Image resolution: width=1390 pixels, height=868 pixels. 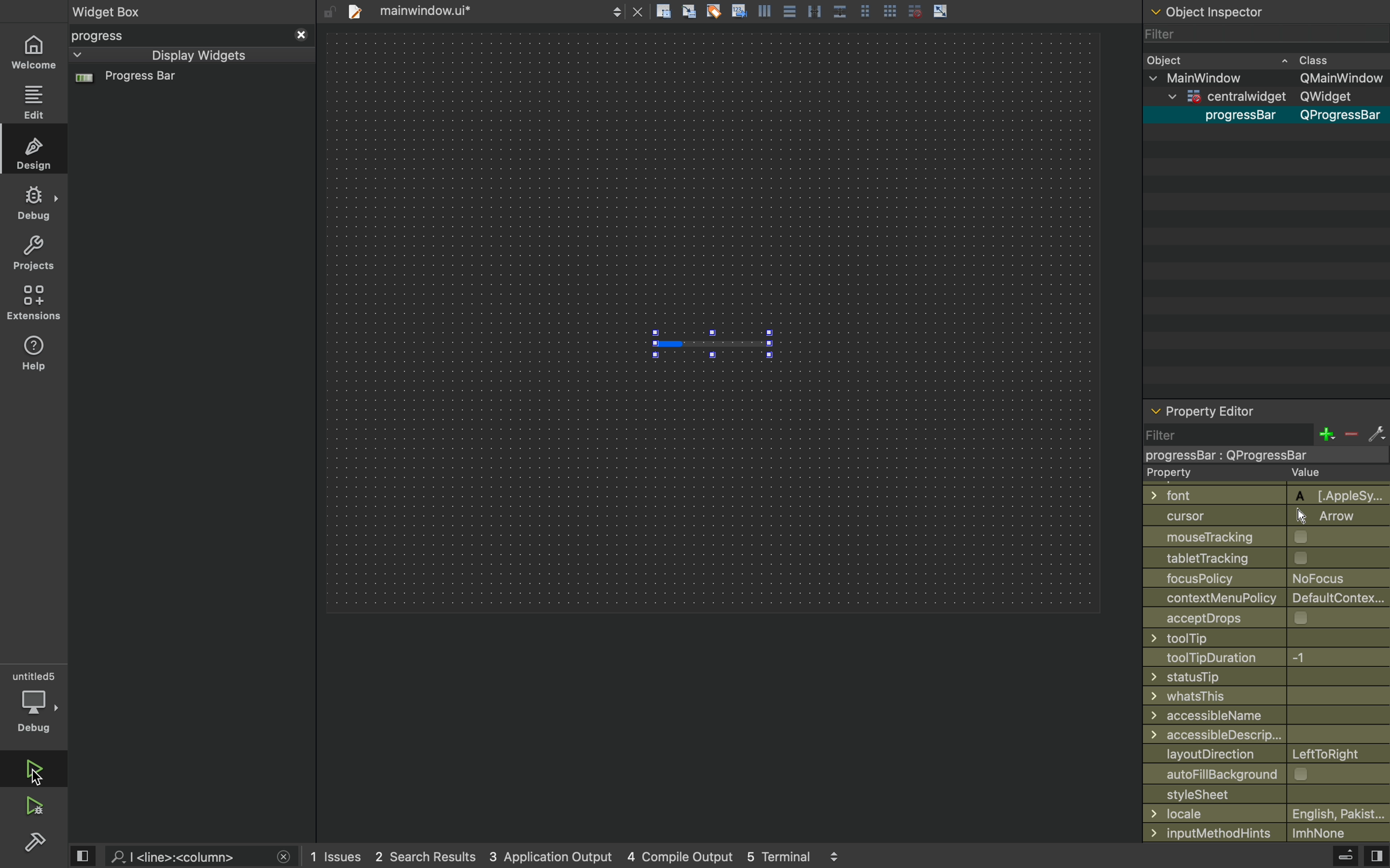 What do you see at coordinates (1256, 474) in the screenshot?
I see `property` at bounding box center [1256, 474].